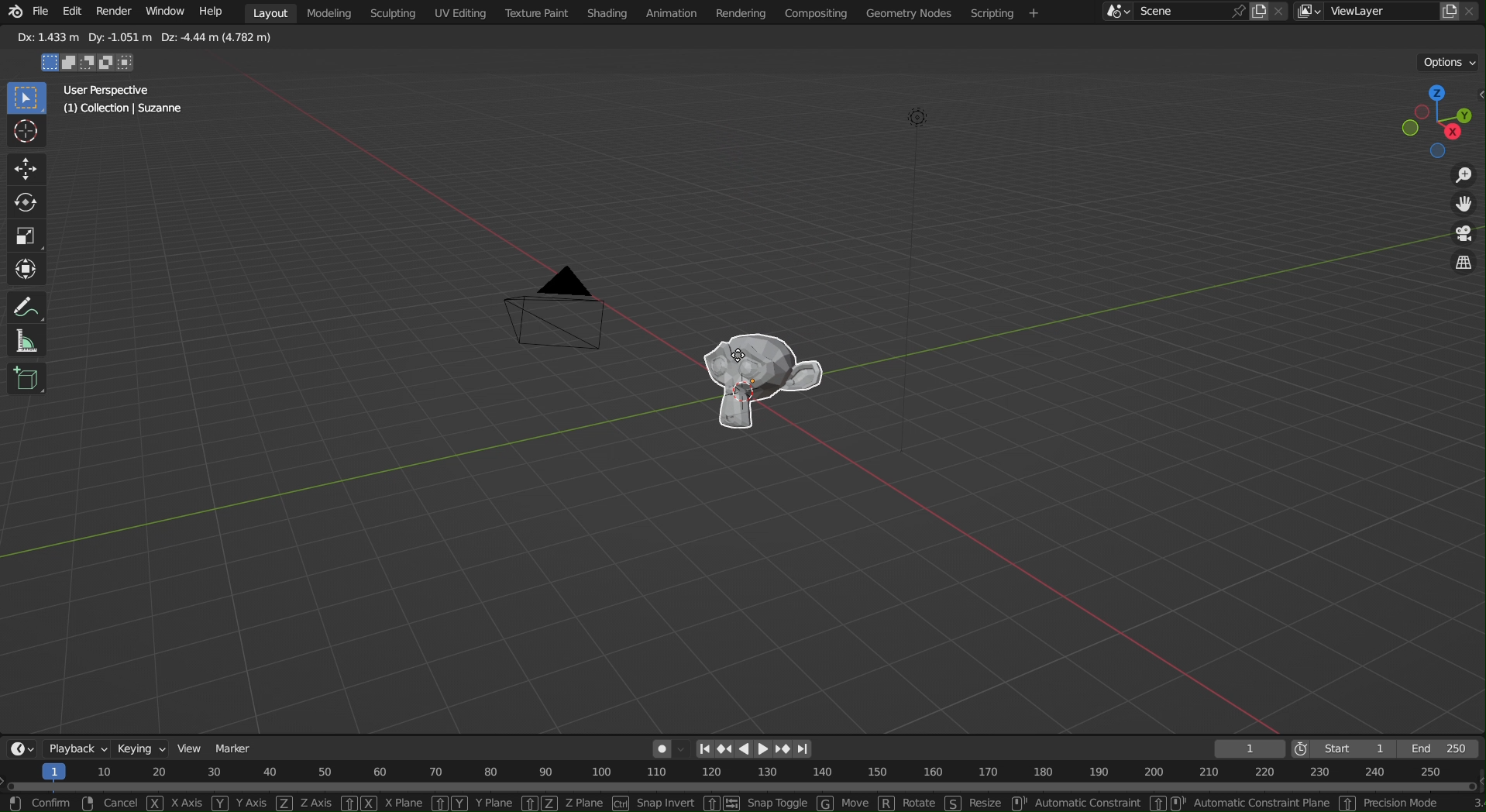 The width and height of the screenshot is (1486, 812). I want to click on Y axis, so click(252, 803).